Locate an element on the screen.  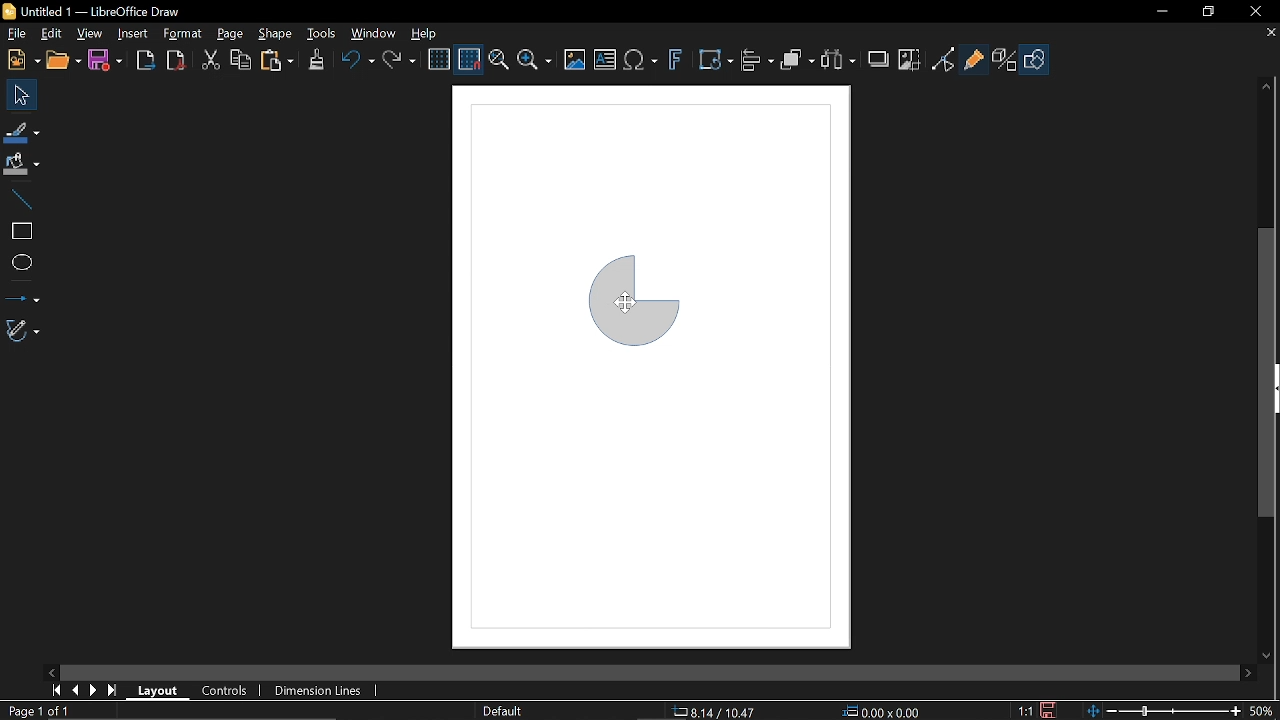
Shadow is located at coordinates (881, 60).